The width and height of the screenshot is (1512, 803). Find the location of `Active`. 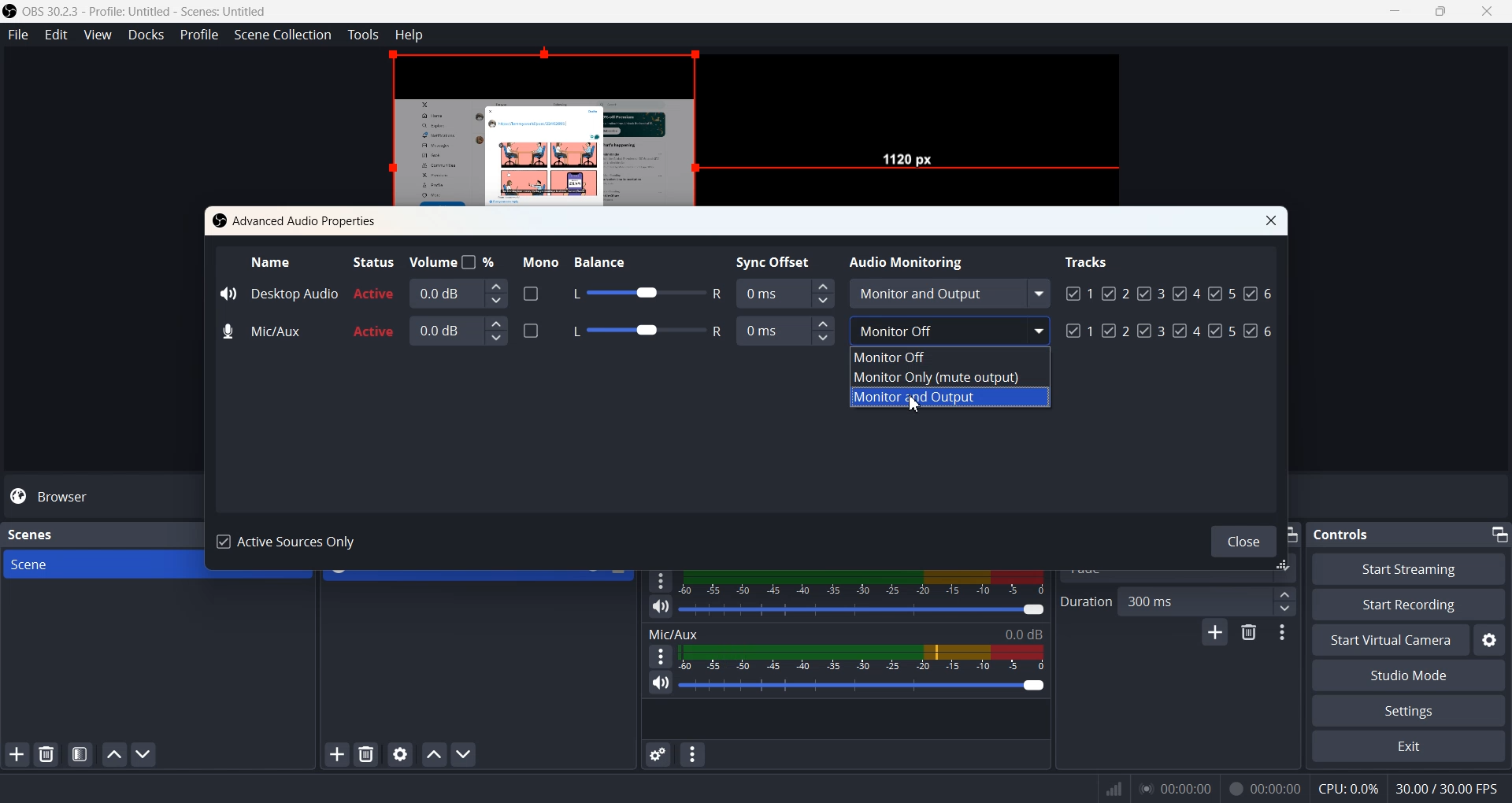

Active is located at coordinates (374, 313).